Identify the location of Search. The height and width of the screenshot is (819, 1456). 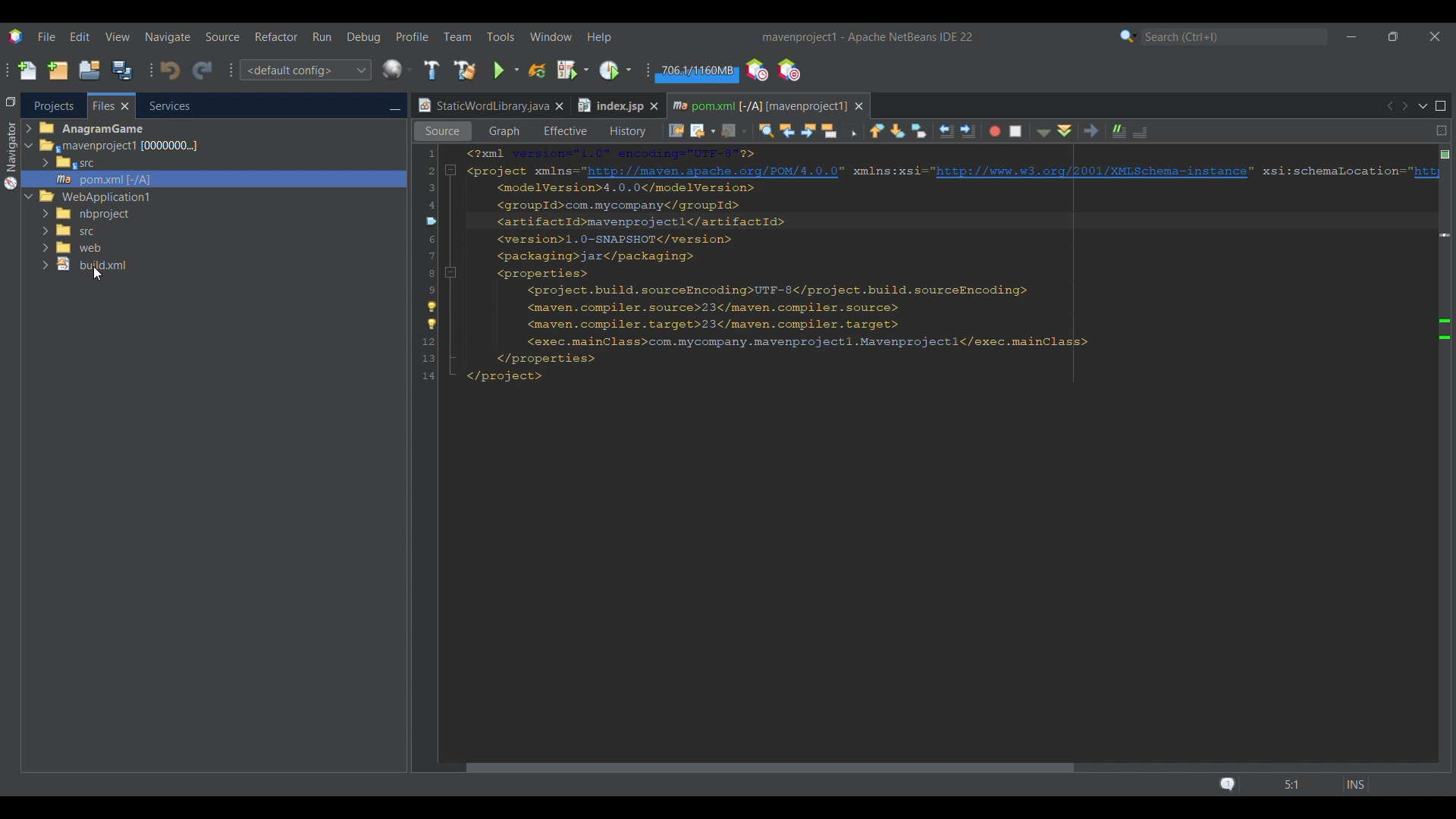
(1235, 37).